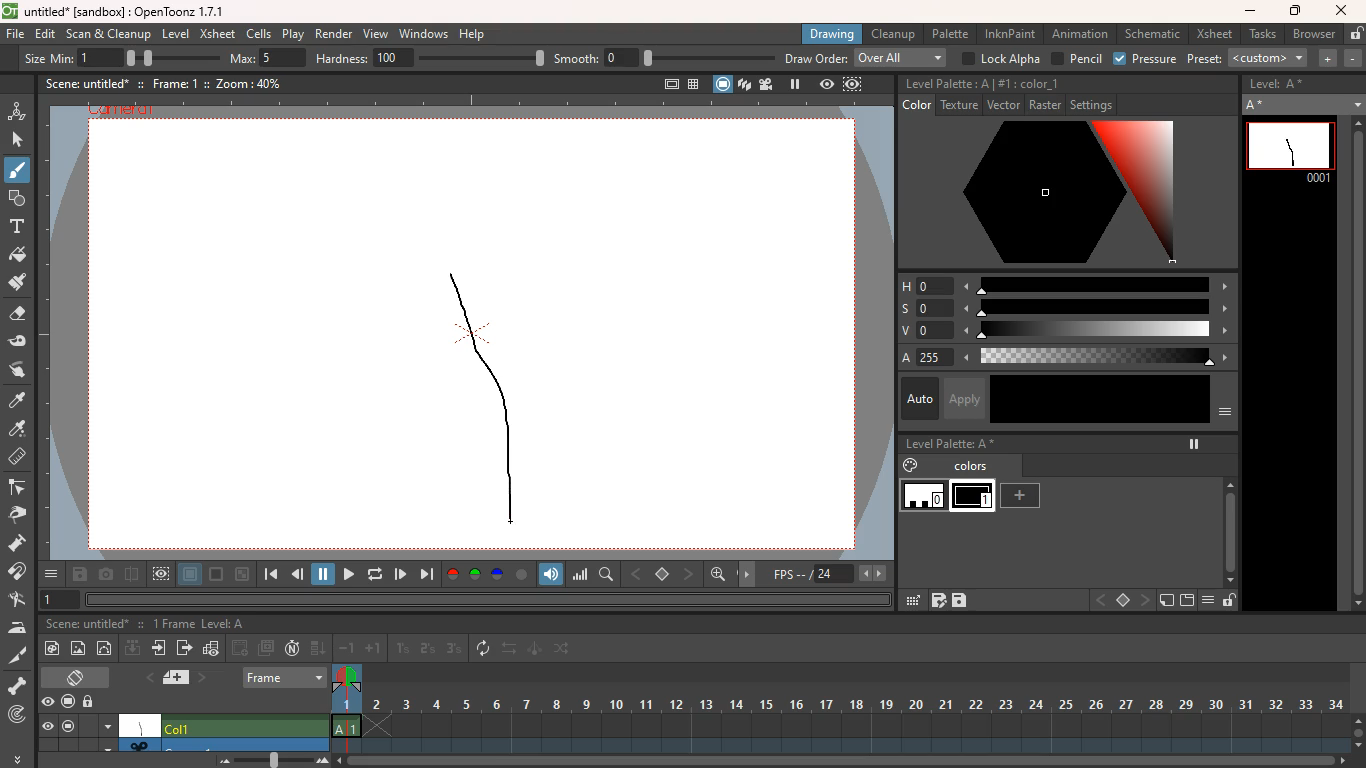 The width and height of the screenshot is (1366, 768). Describe the element at coordinates (285, 675) in the screenshot. I see `frame` at that location.